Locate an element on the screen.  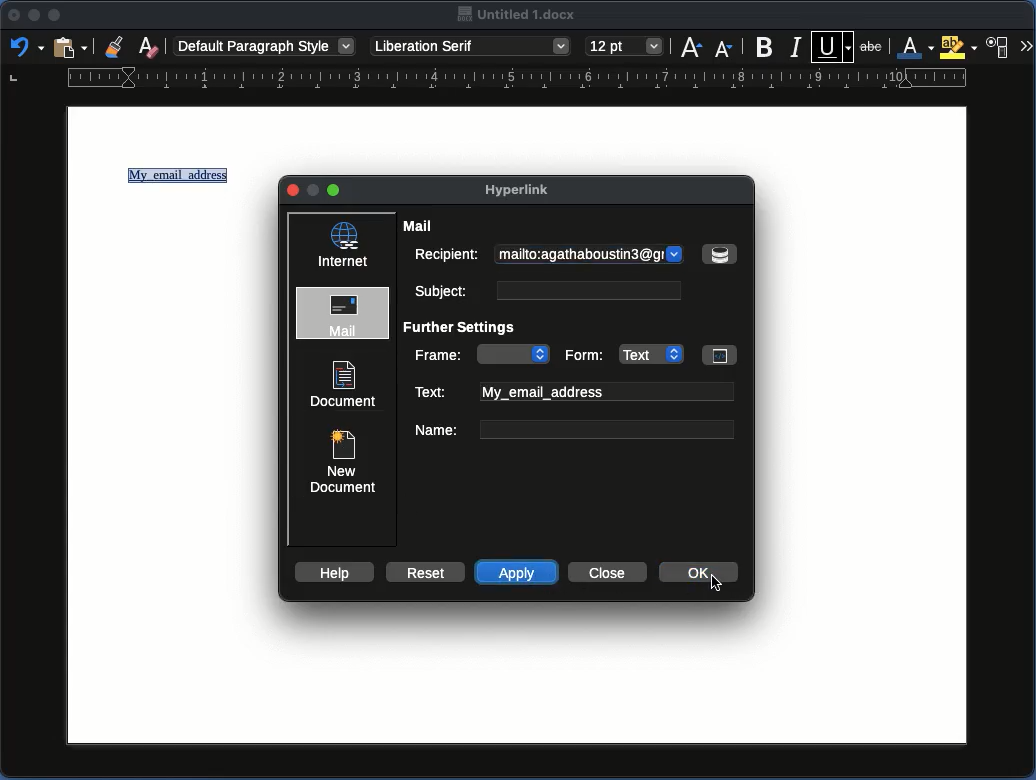
Further settings is located at coordinates (466, 328).